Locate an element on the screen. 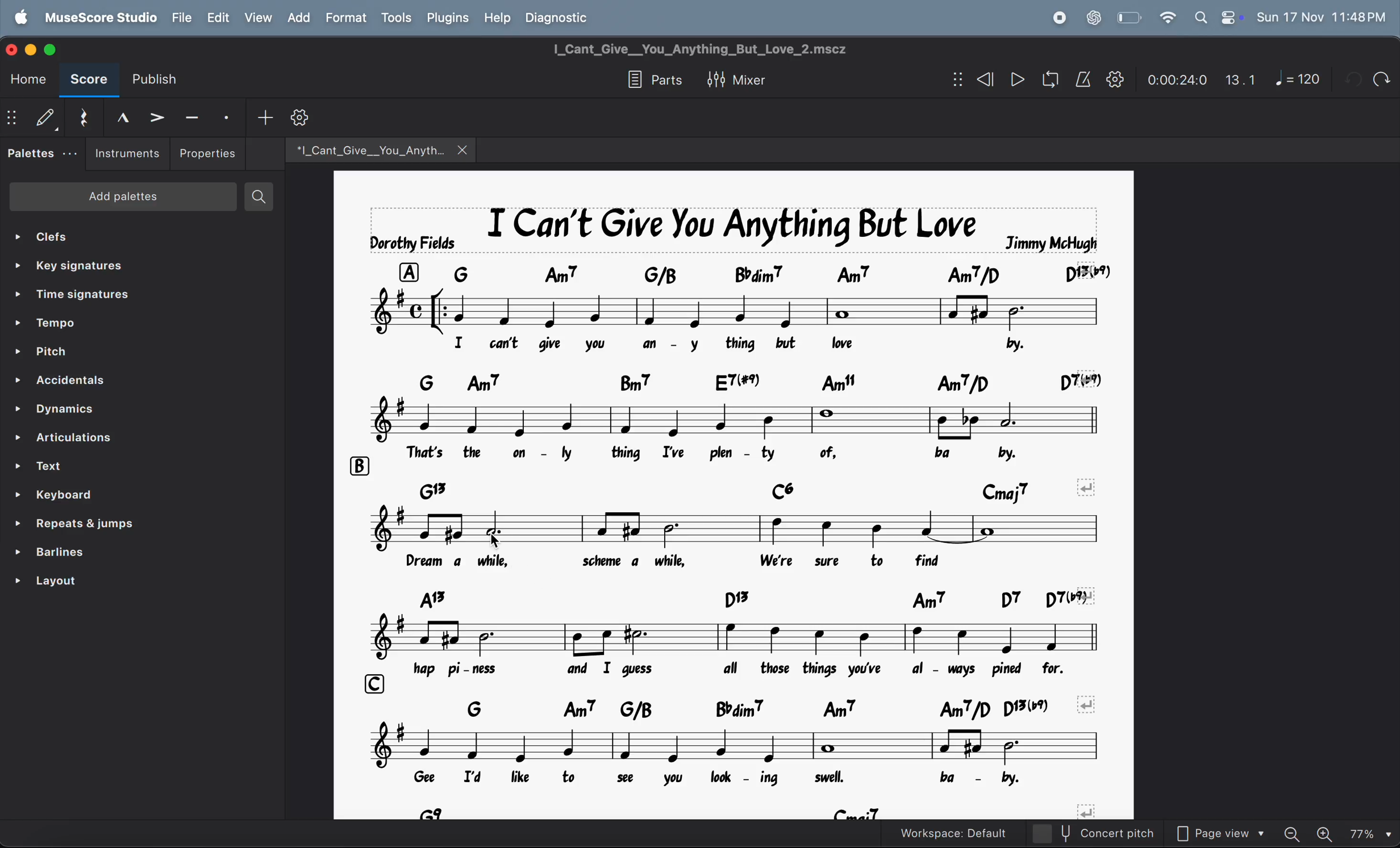 The height and width of the screenshot is (848, 1400). file is located at coordinates (183, 18).